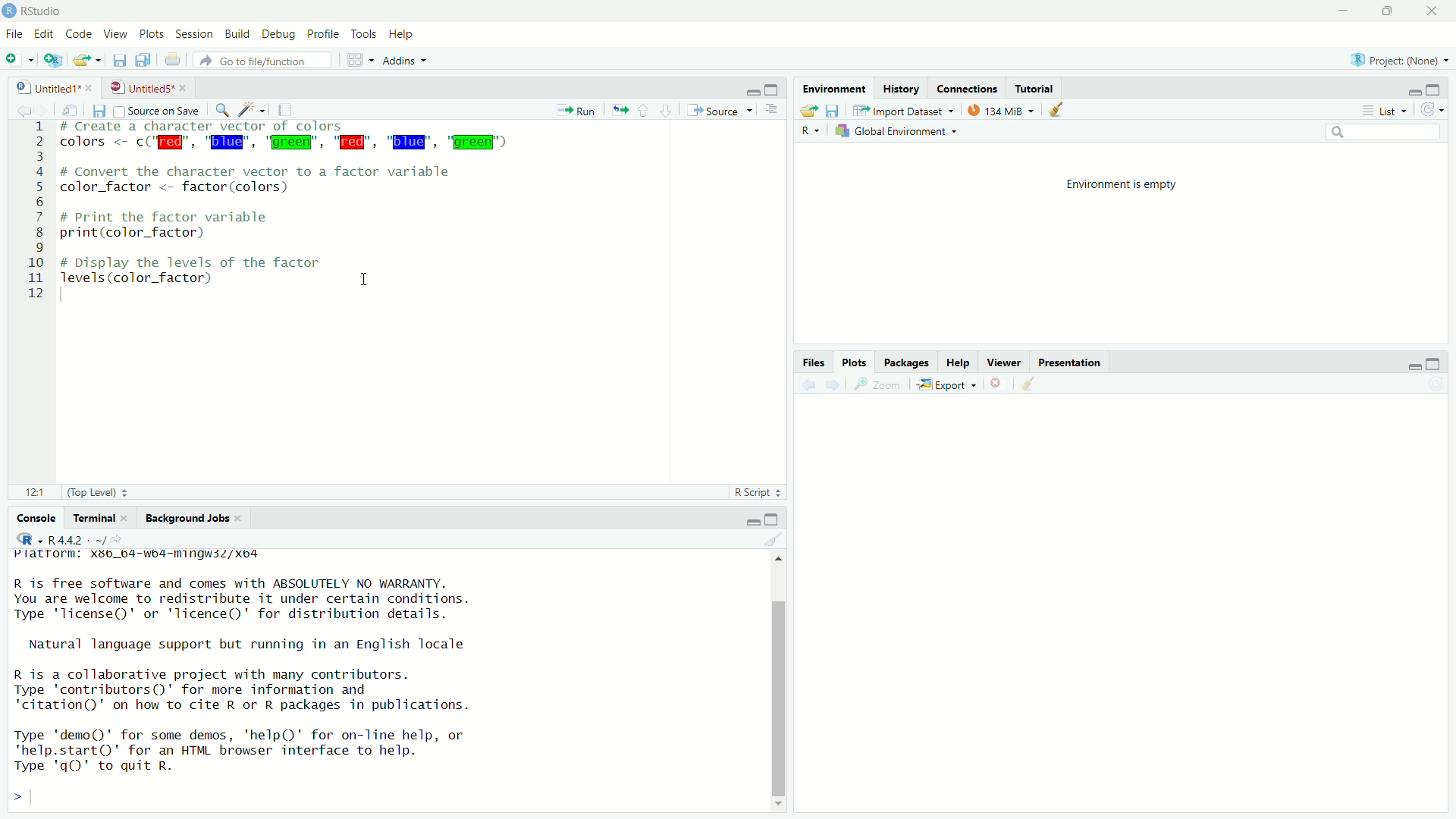 This screenshot has width=1456, height=819. Describe the element at coordinates (90, 88) in the screenshot. I see `close` at that location.